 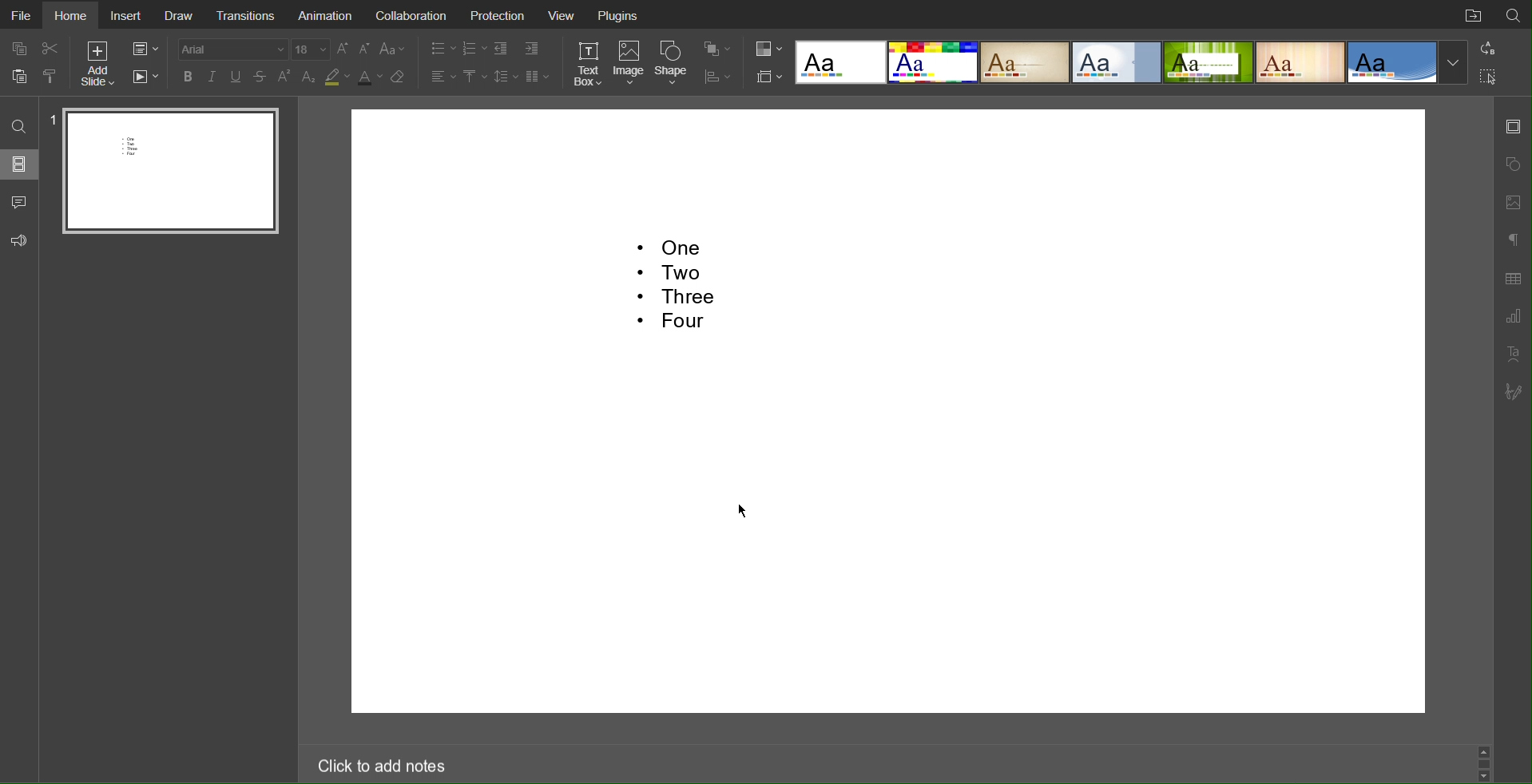 What do you see at coordinates (127, 15) in the screenshot?
I see `Insert` at bounding box center [127, 15].